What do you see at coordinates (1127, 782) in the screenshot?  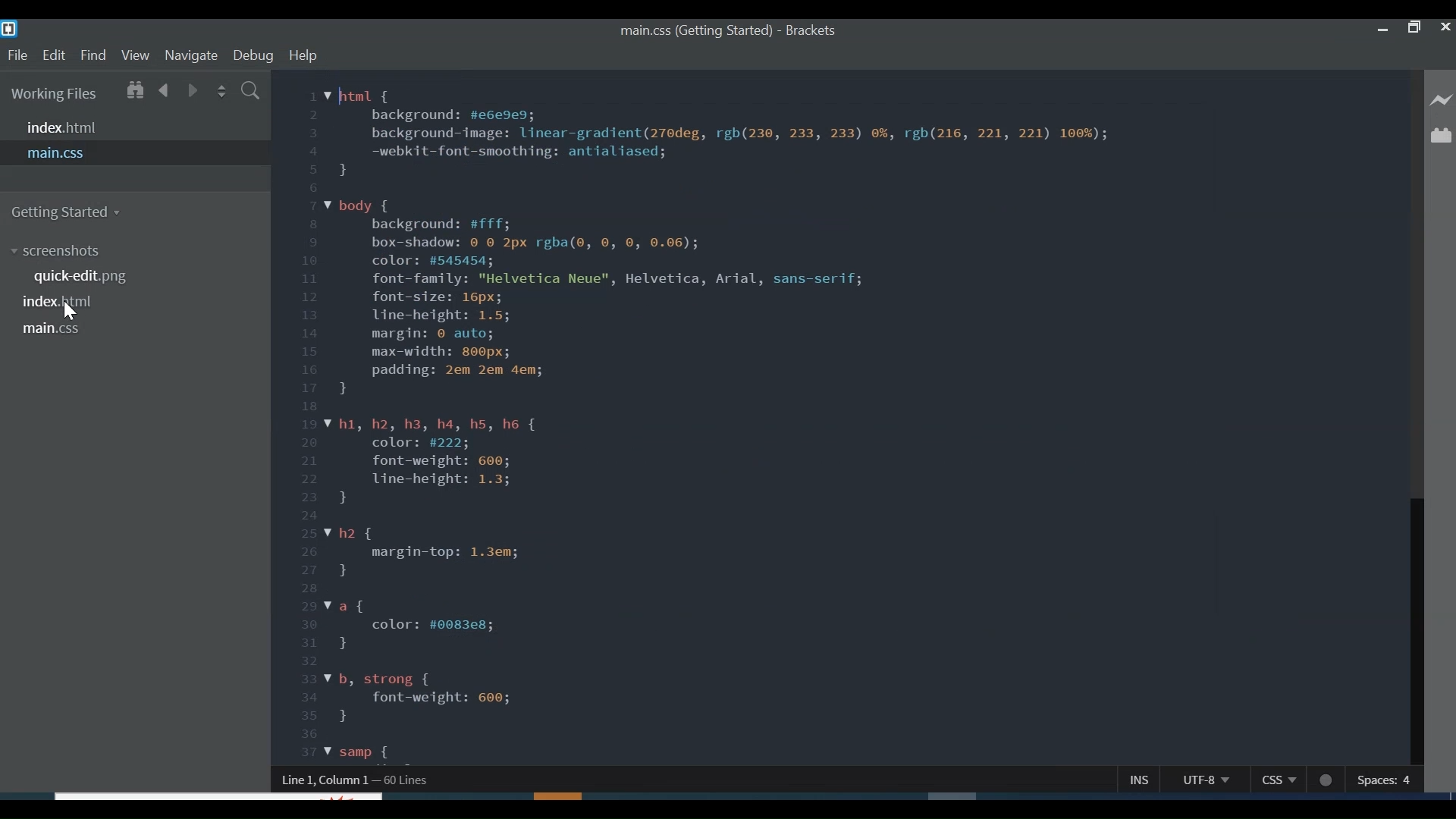 I see `Insert` at bounding box center [1127, 782].